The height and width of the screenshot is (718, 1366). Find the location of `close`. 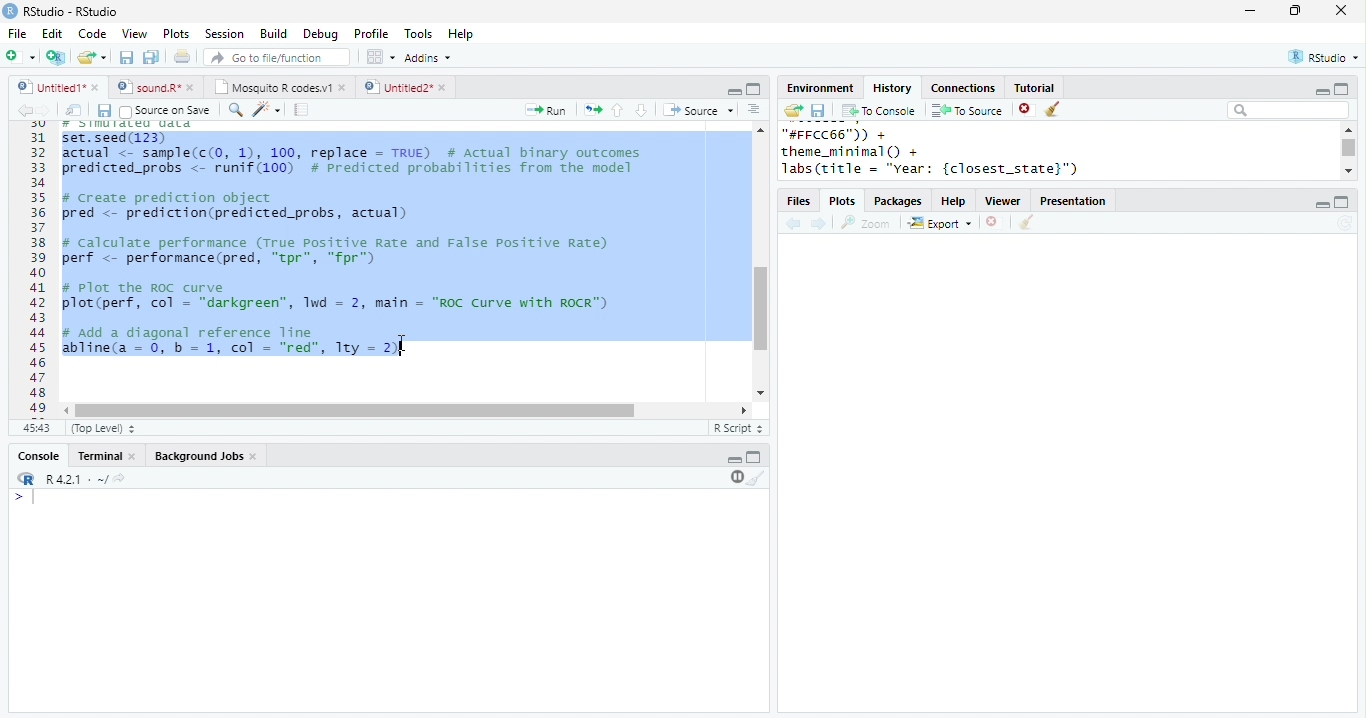

close is located at coordinates (256, 457).